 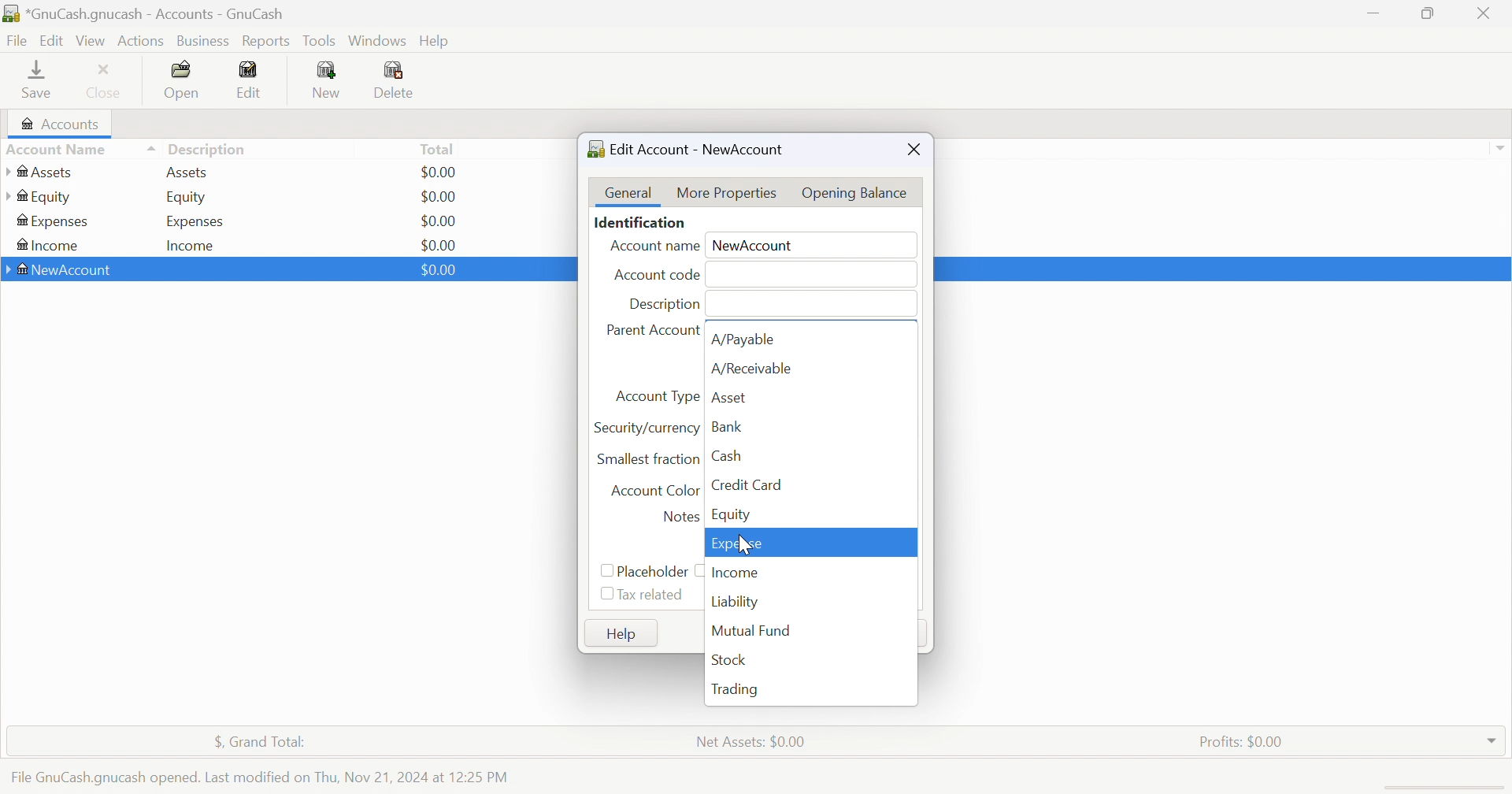 What do you see at coordinates (48, 172) in the screenshot?
I see `Assets` at bounding box center [48, 172].